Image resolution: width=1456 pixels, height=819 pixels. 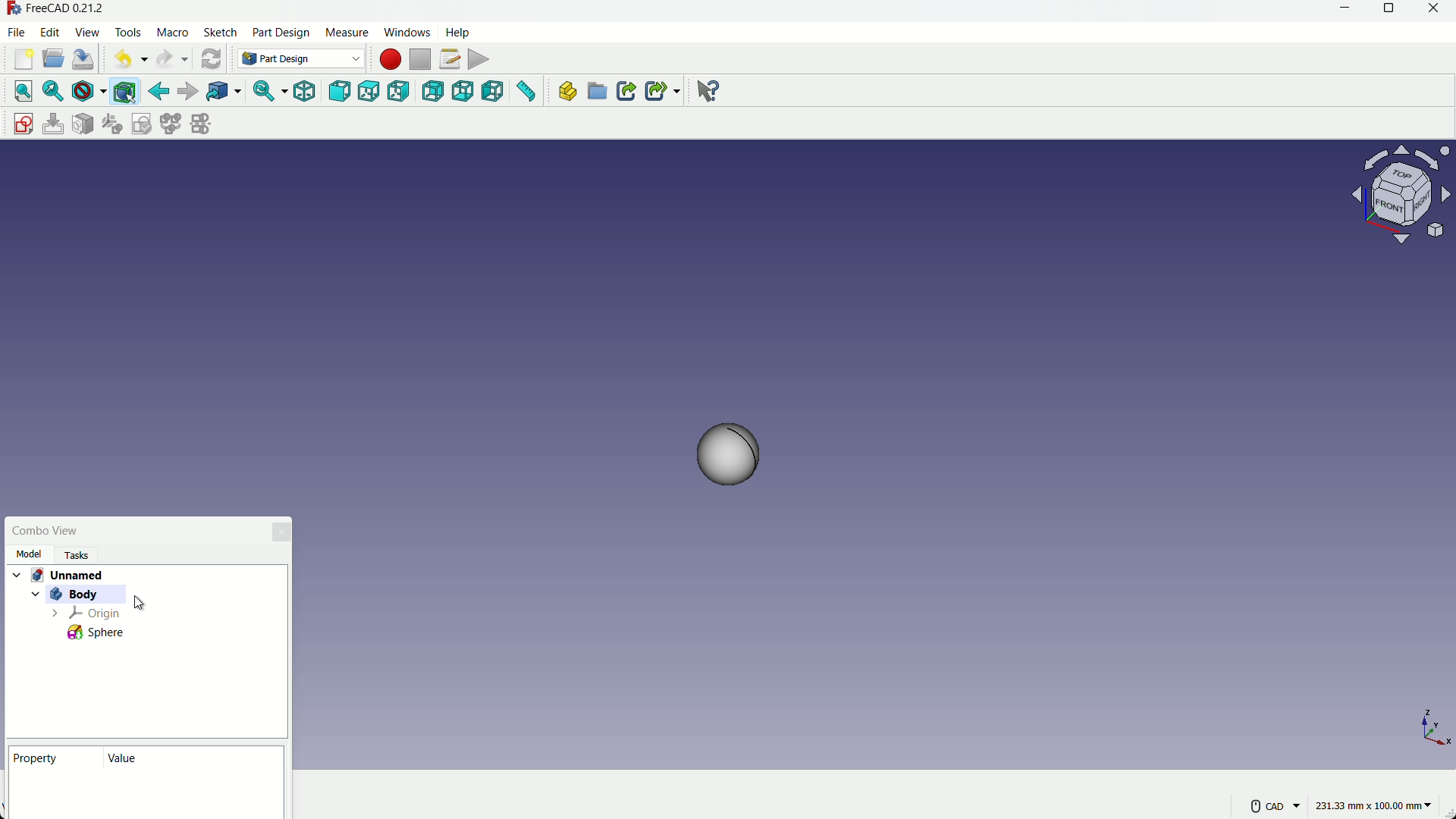 I want to click on Model, so click(x=30, y=554).